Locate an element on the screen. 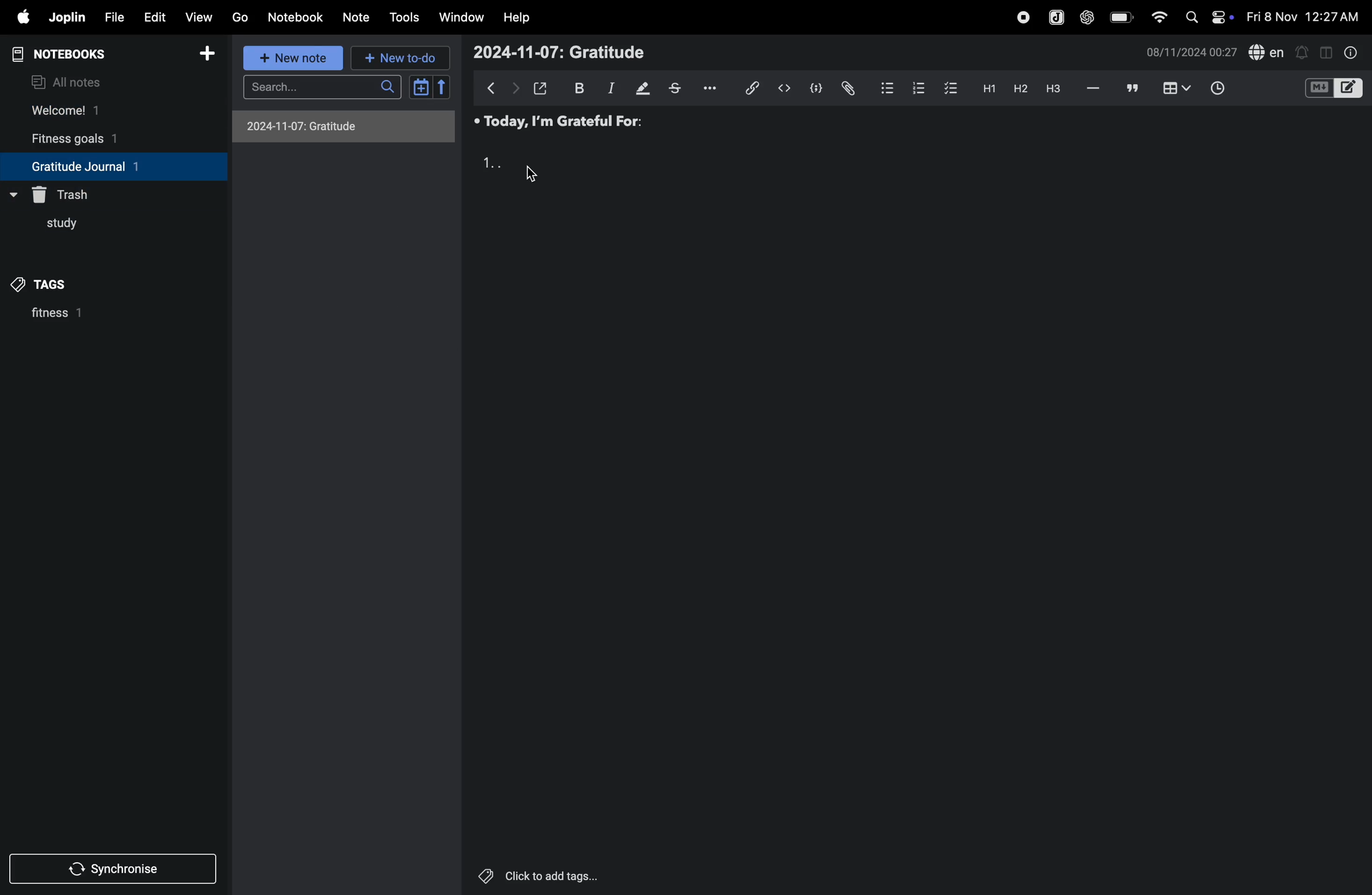 Image resolution: width=1372 pixels, height=895 pixels. 08/11/2024 00:27 is located at coordinates (1191, 51).